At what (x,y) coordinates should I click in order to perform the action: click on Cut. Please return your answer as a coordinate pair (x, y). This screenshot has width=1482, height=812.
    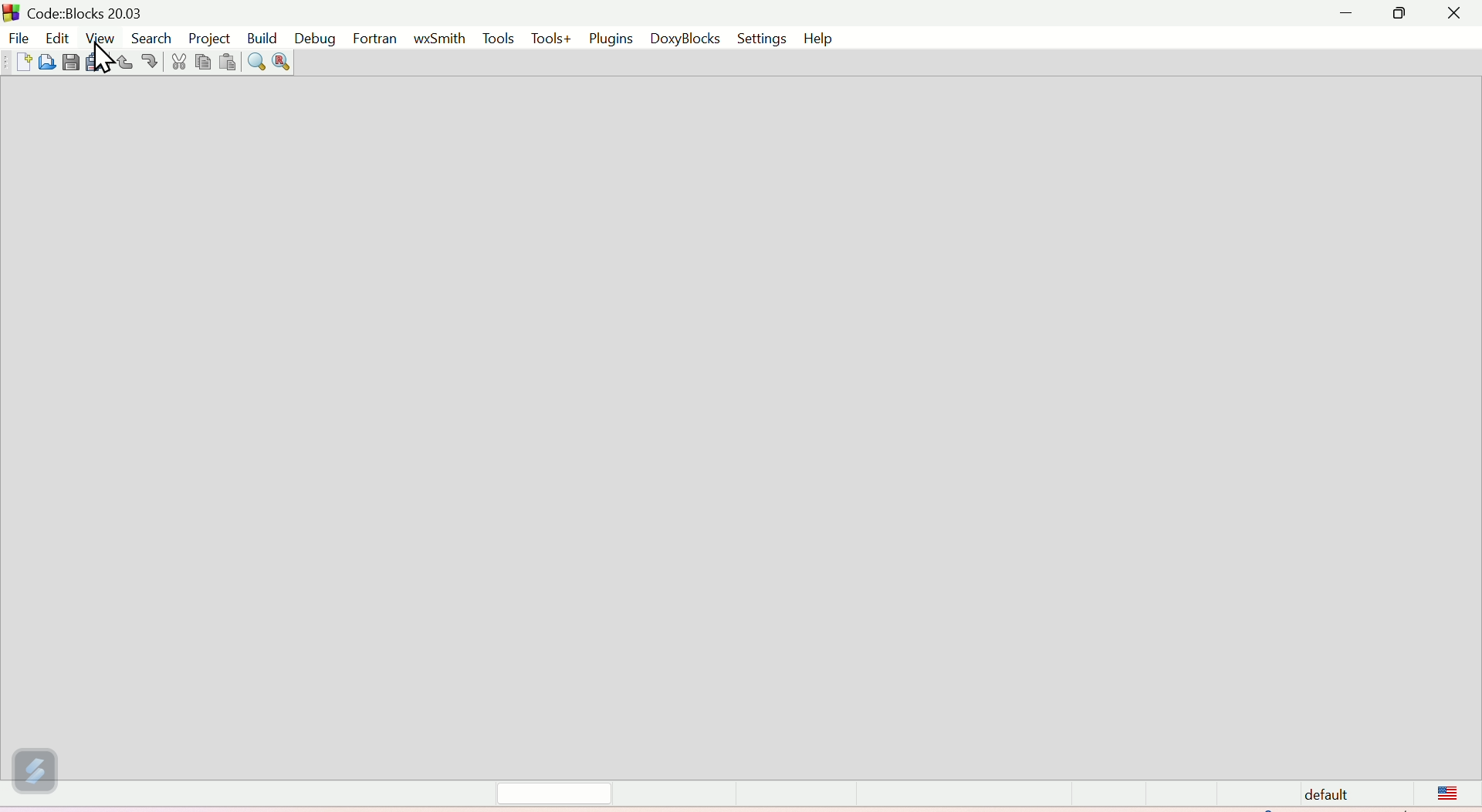
    Looking at the image, I should click on (177, 64).